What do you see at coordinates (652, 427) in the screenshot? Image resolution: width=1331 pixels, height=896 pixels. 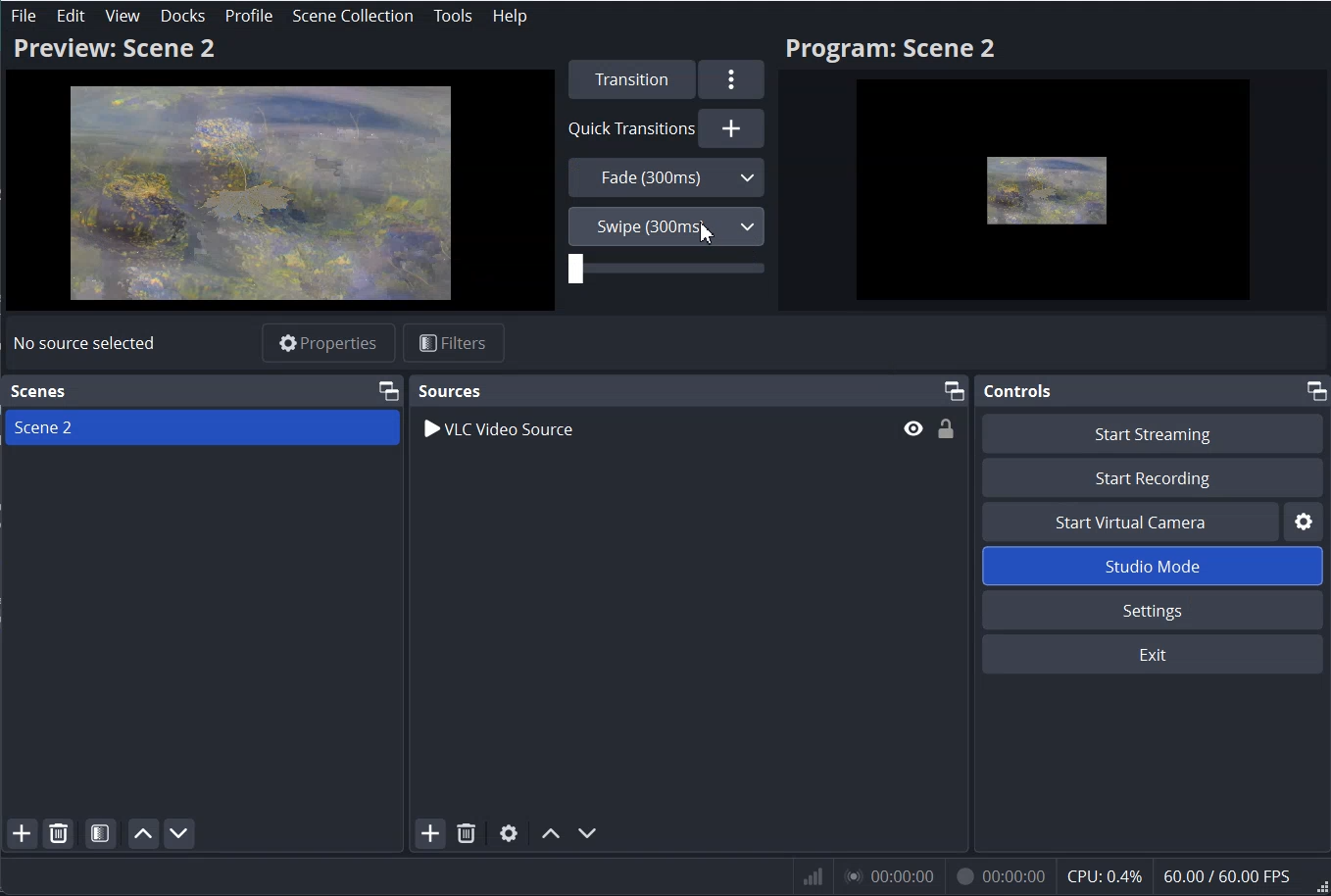 I see `VLC Video Source` at bounding box center [652, 427].